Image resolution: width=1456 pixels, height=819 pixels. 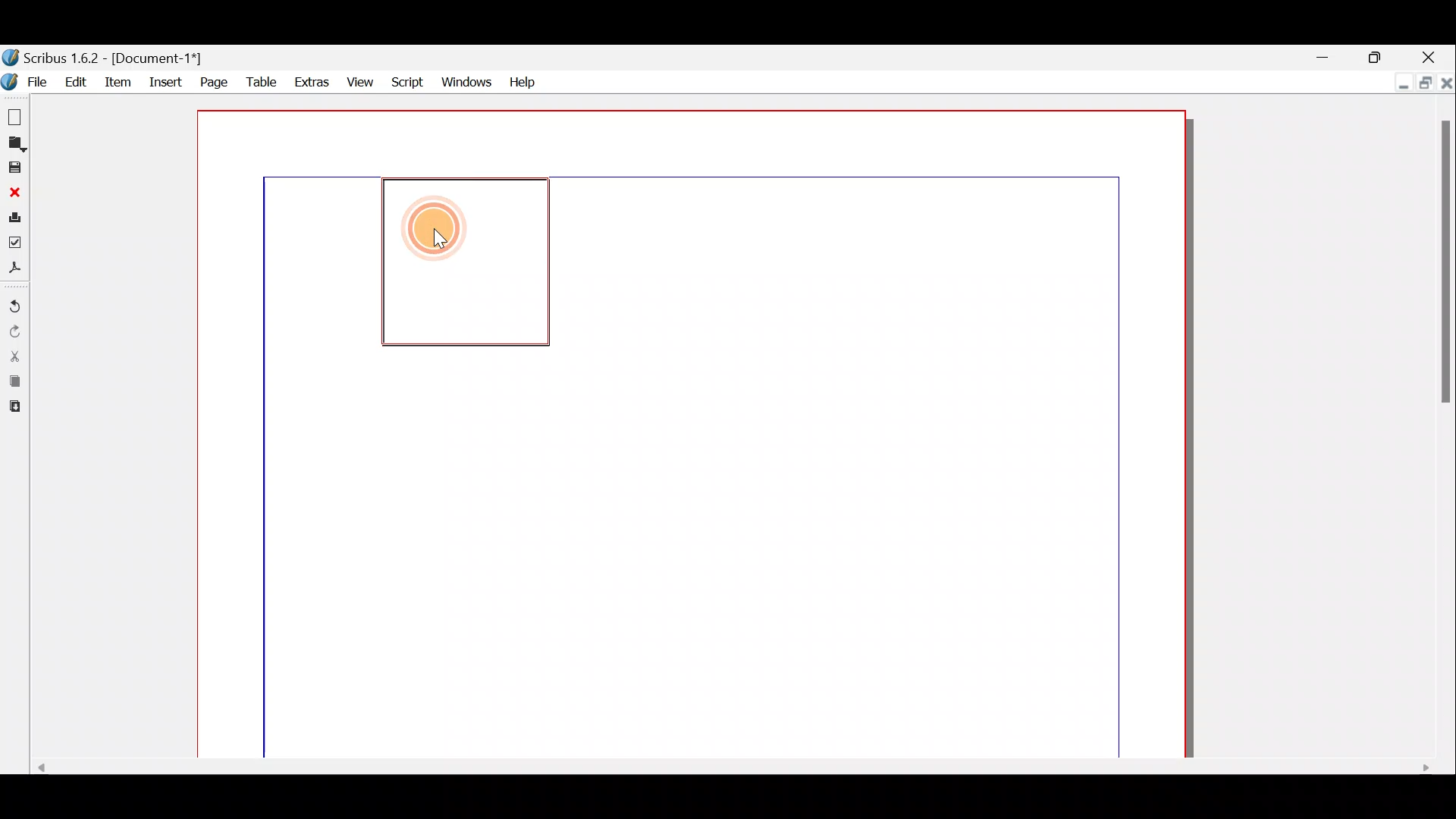 I want to click on Undo, so click(x=14, y=307).